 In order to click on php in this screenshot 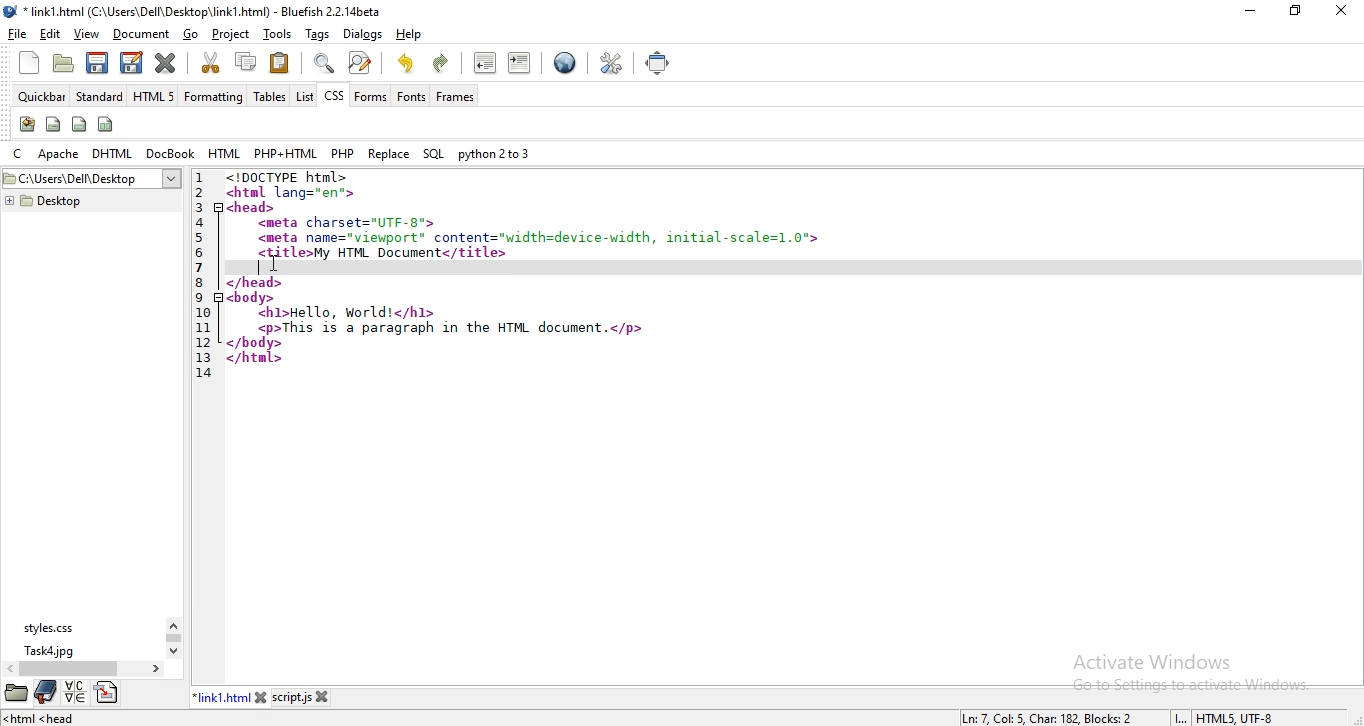, I will do `click(343, 153)`.